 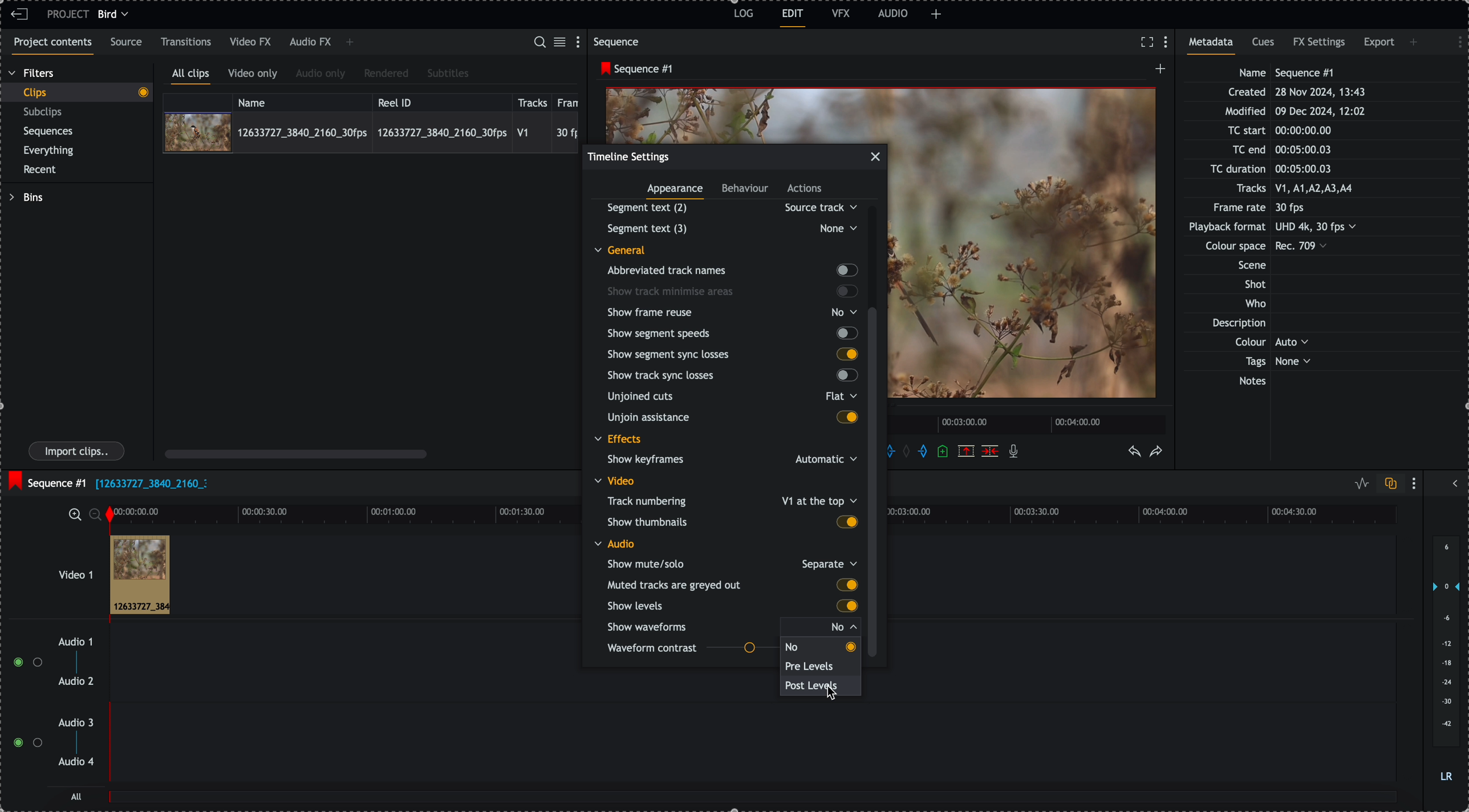 What do you see at coordinates (251, 42) in the screenshot?
I see `video FX` at bounding box center [251, 42].